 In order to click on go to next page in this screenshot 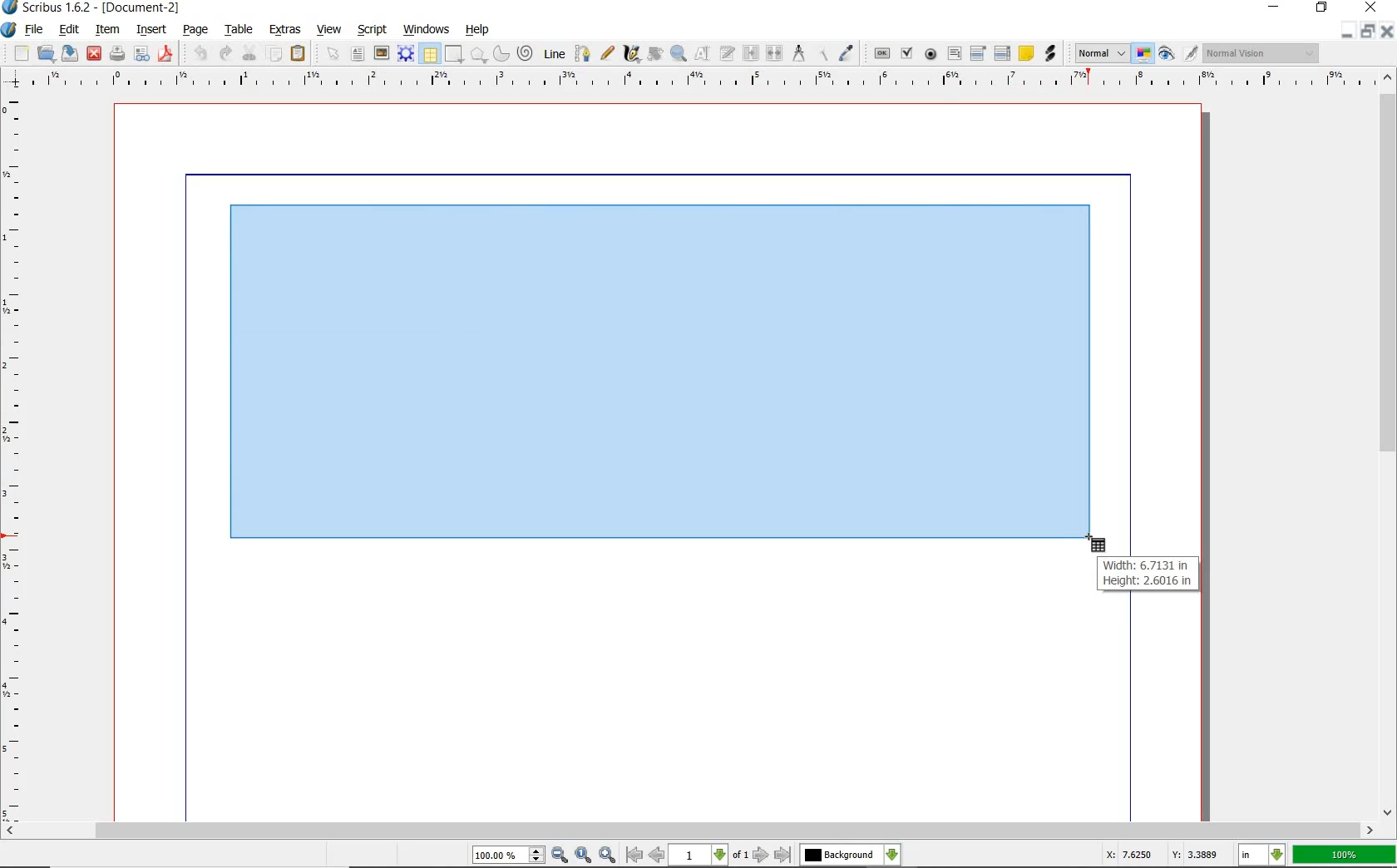, I will do `click(762, 856)`.